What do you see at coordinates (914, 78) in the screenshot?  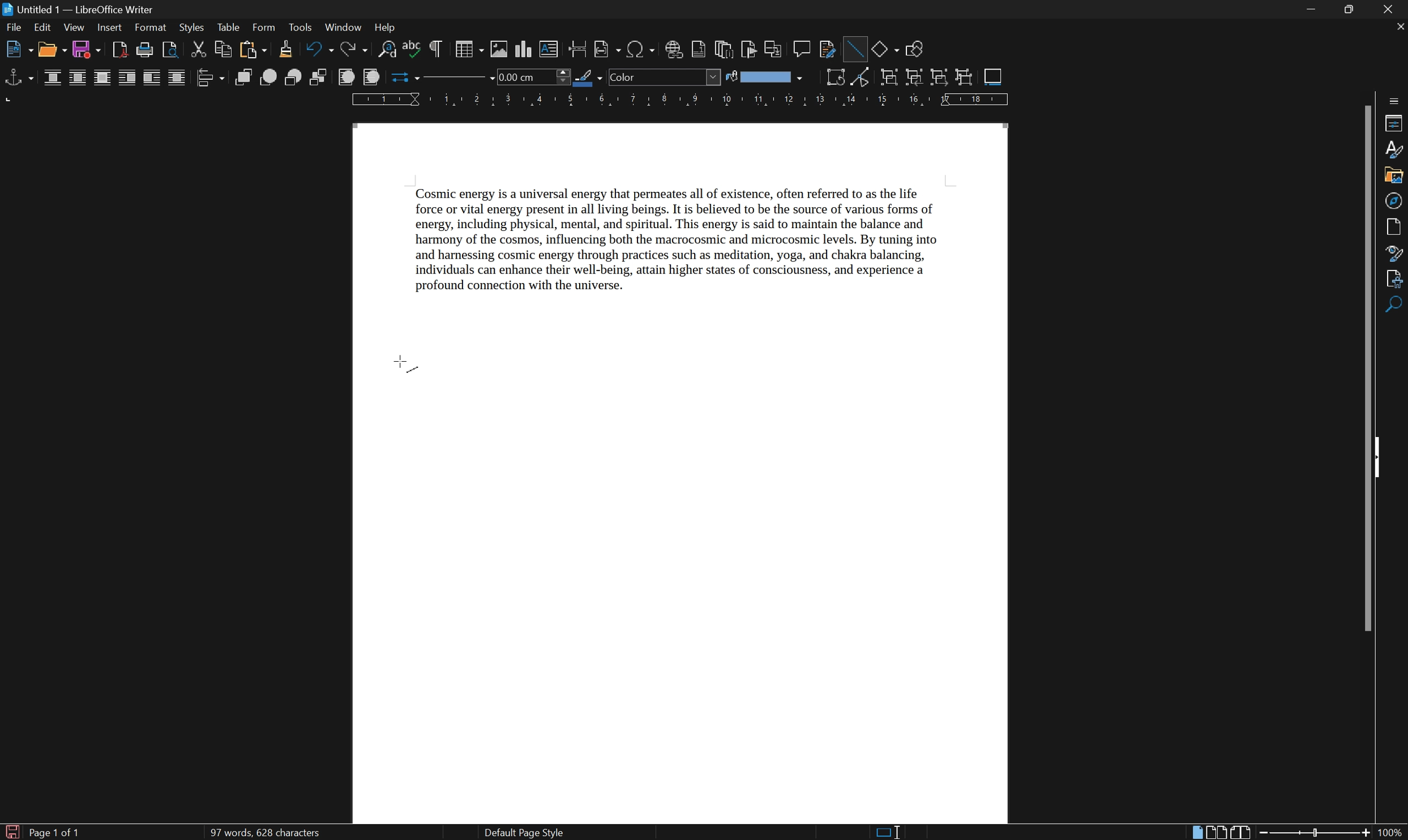 I see `enter group` at bounding box center [914, 78].